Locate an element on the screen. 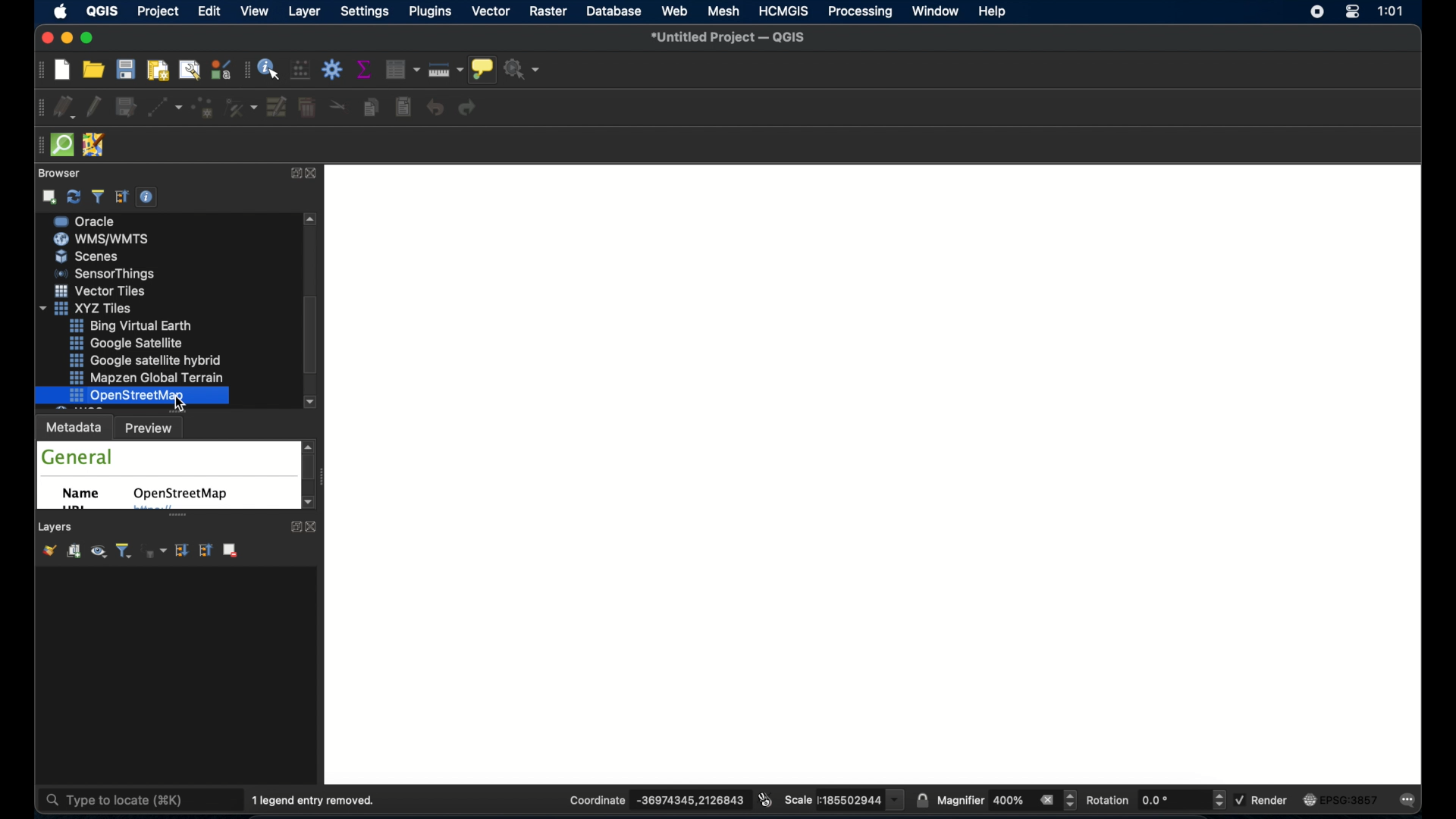 Image resolution: width=1456 pixels, height=819 pixels. apple icon is located at coordinates (59, 11).